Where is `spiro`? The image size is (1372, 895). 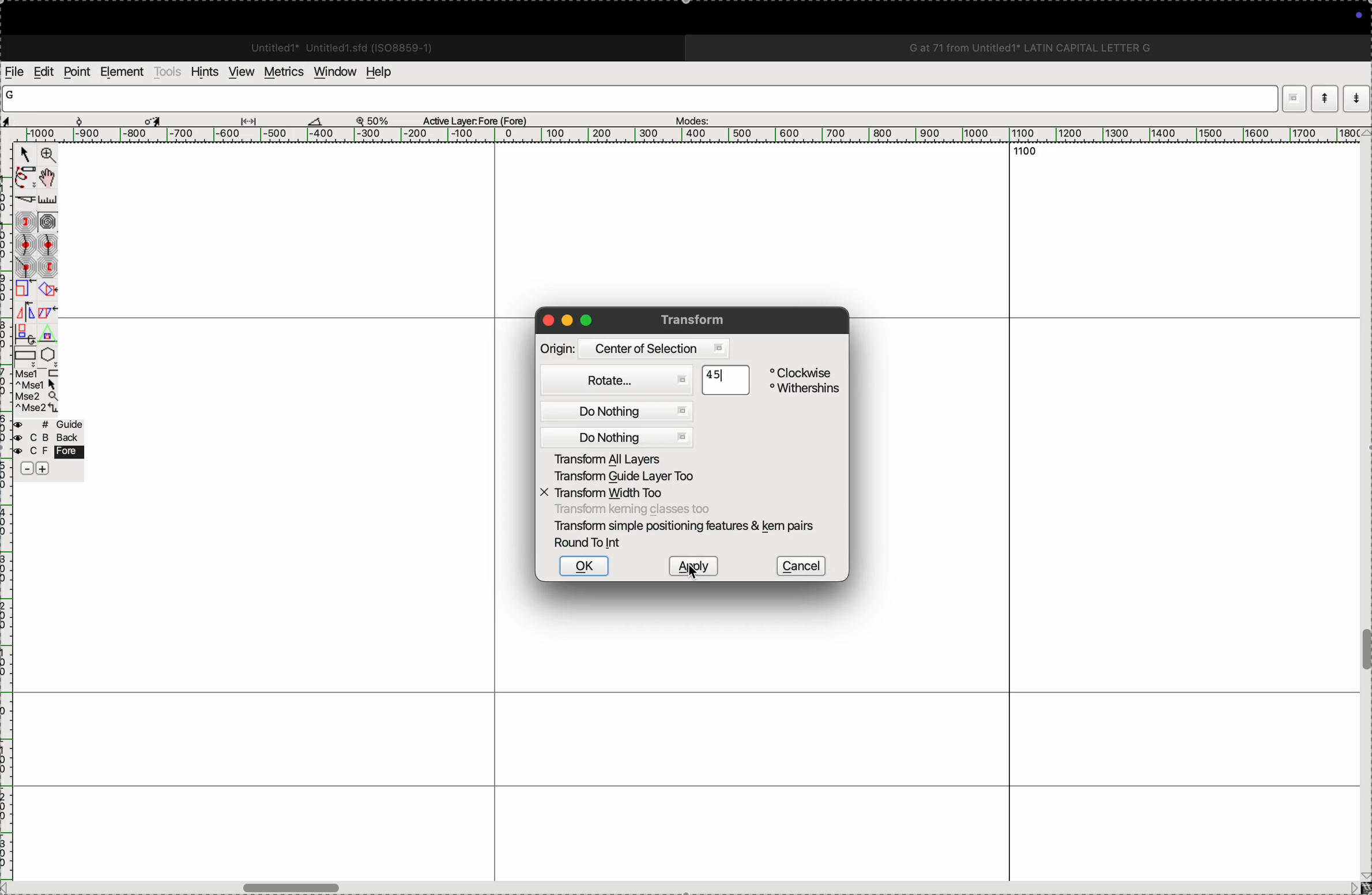
spiro is located at coordinates (48, 221).